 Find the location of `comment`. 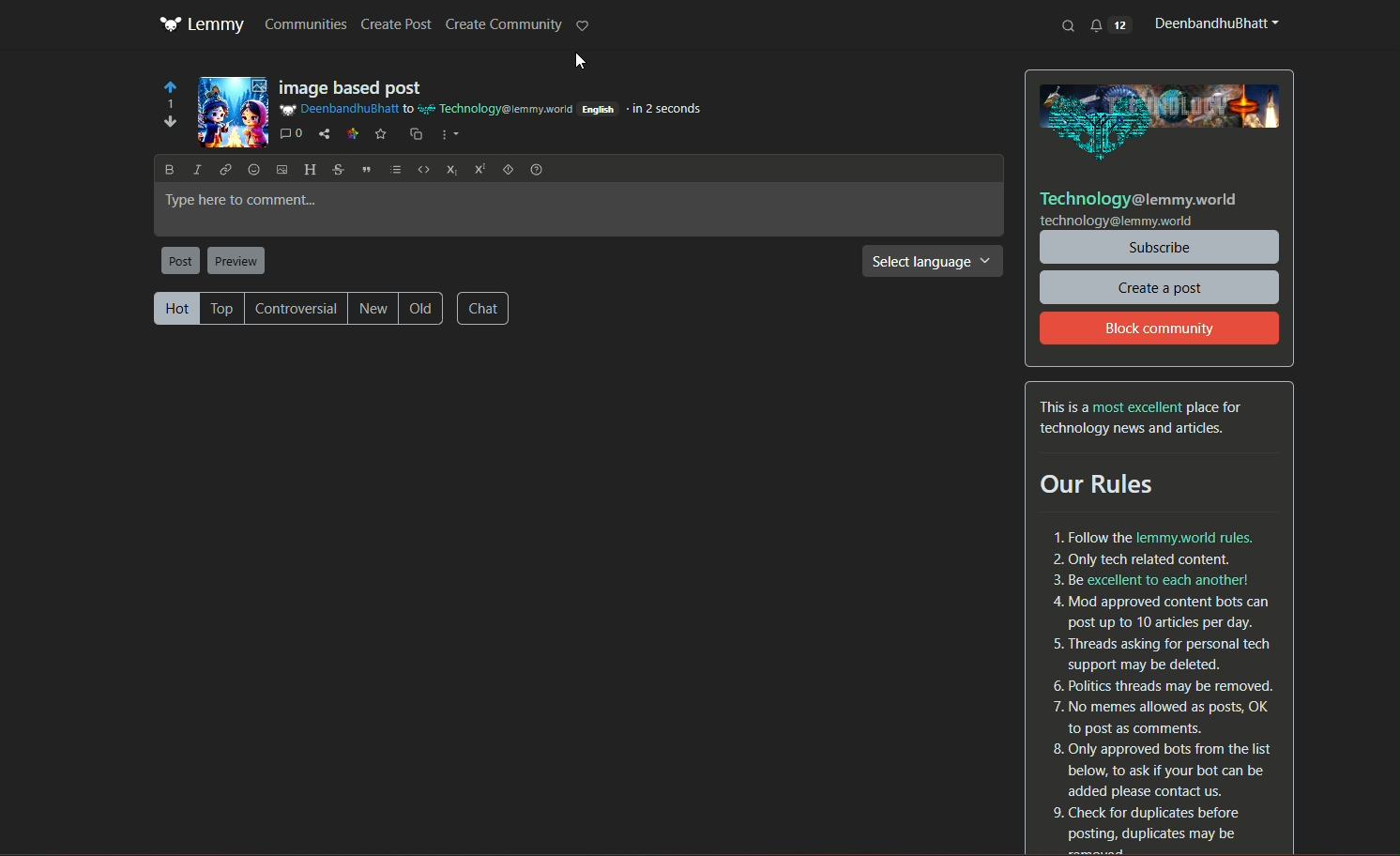

comment is located at coordinates (292, 132).